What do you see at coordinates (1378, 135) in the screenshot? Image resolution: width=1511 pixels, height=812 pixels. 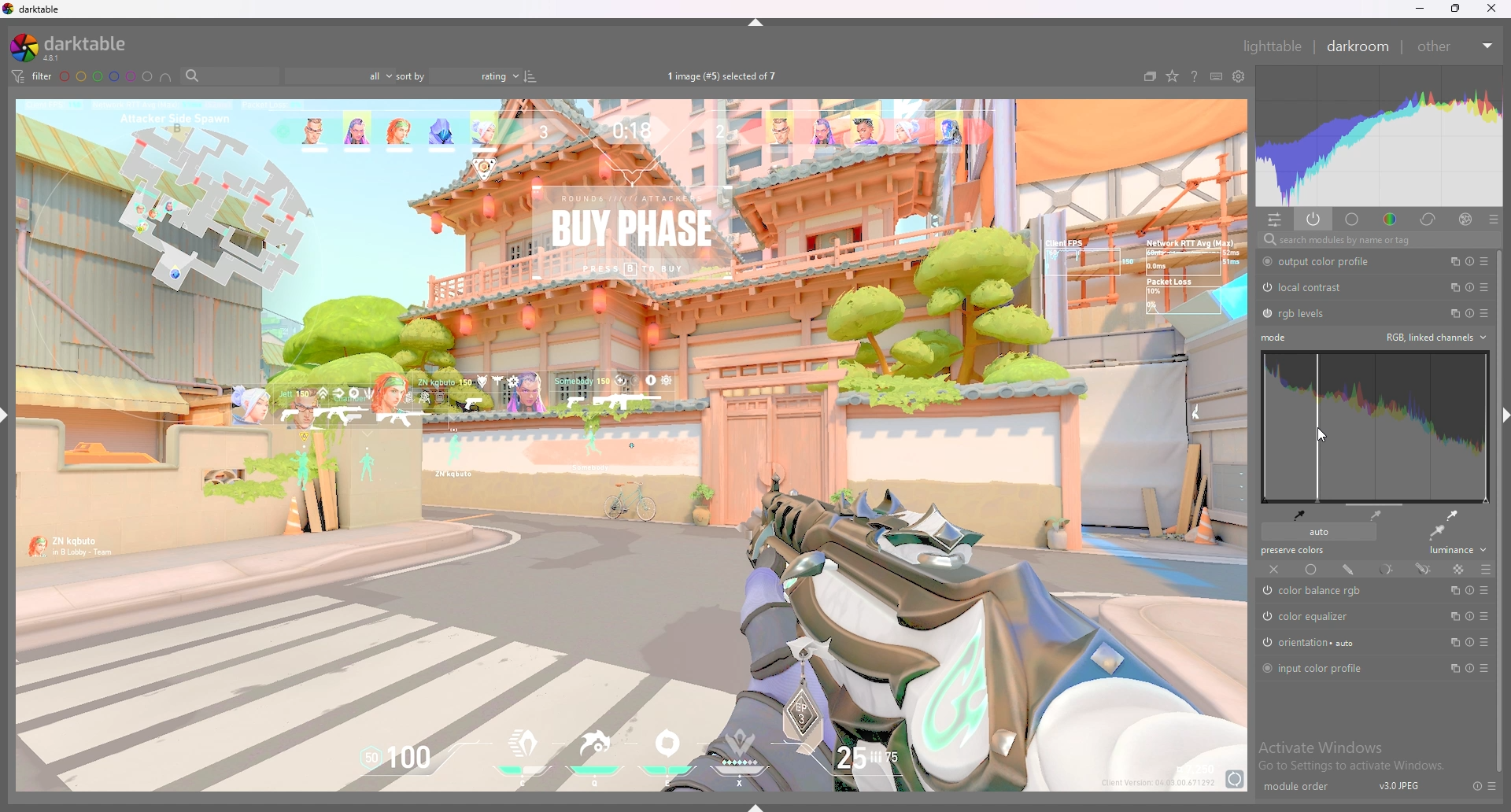 I see `heat map` at bounding box center [1378, 135].